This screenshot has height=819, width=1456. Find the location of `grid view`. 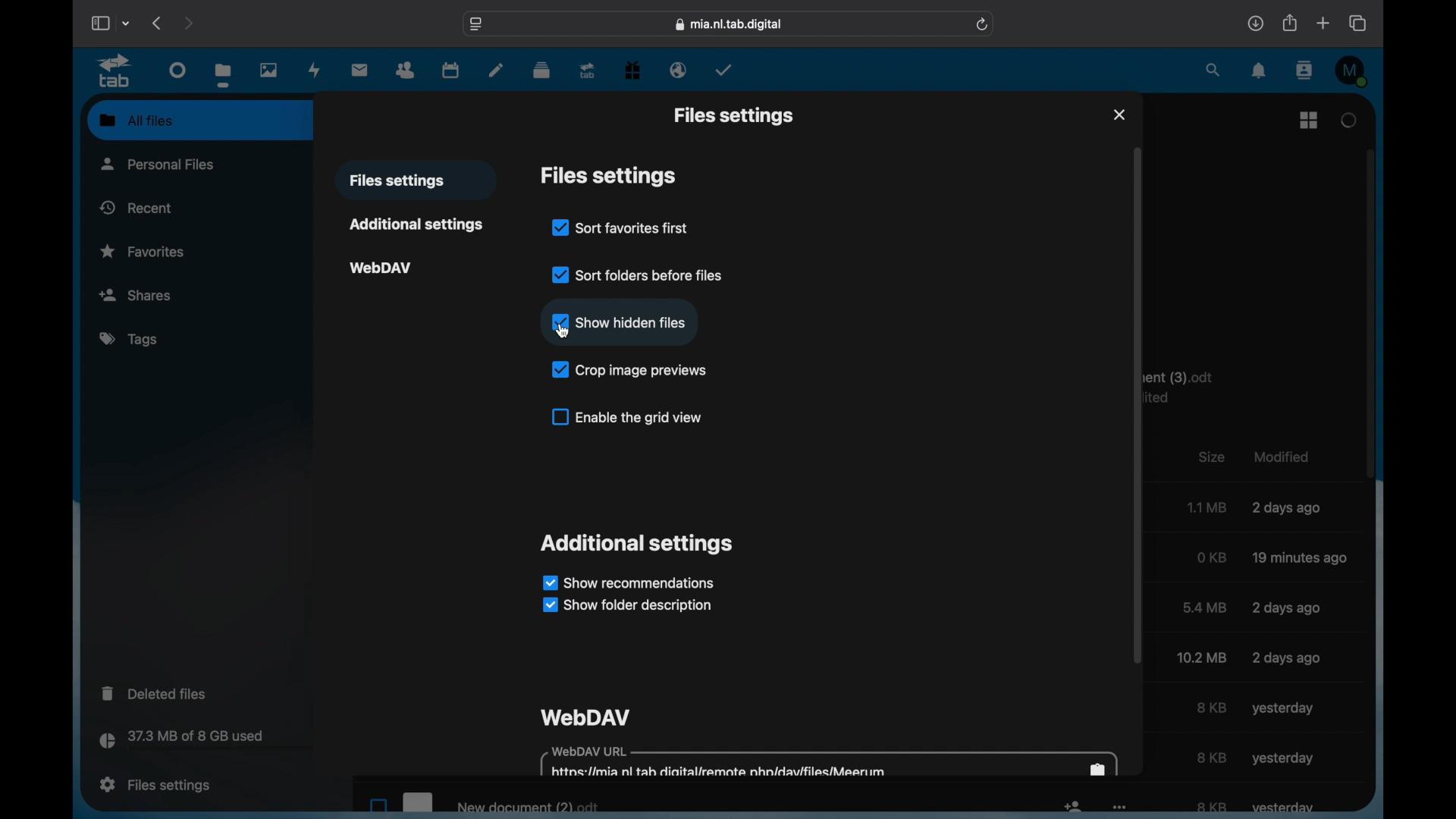

grid view is located at coordinates (1310, 120).